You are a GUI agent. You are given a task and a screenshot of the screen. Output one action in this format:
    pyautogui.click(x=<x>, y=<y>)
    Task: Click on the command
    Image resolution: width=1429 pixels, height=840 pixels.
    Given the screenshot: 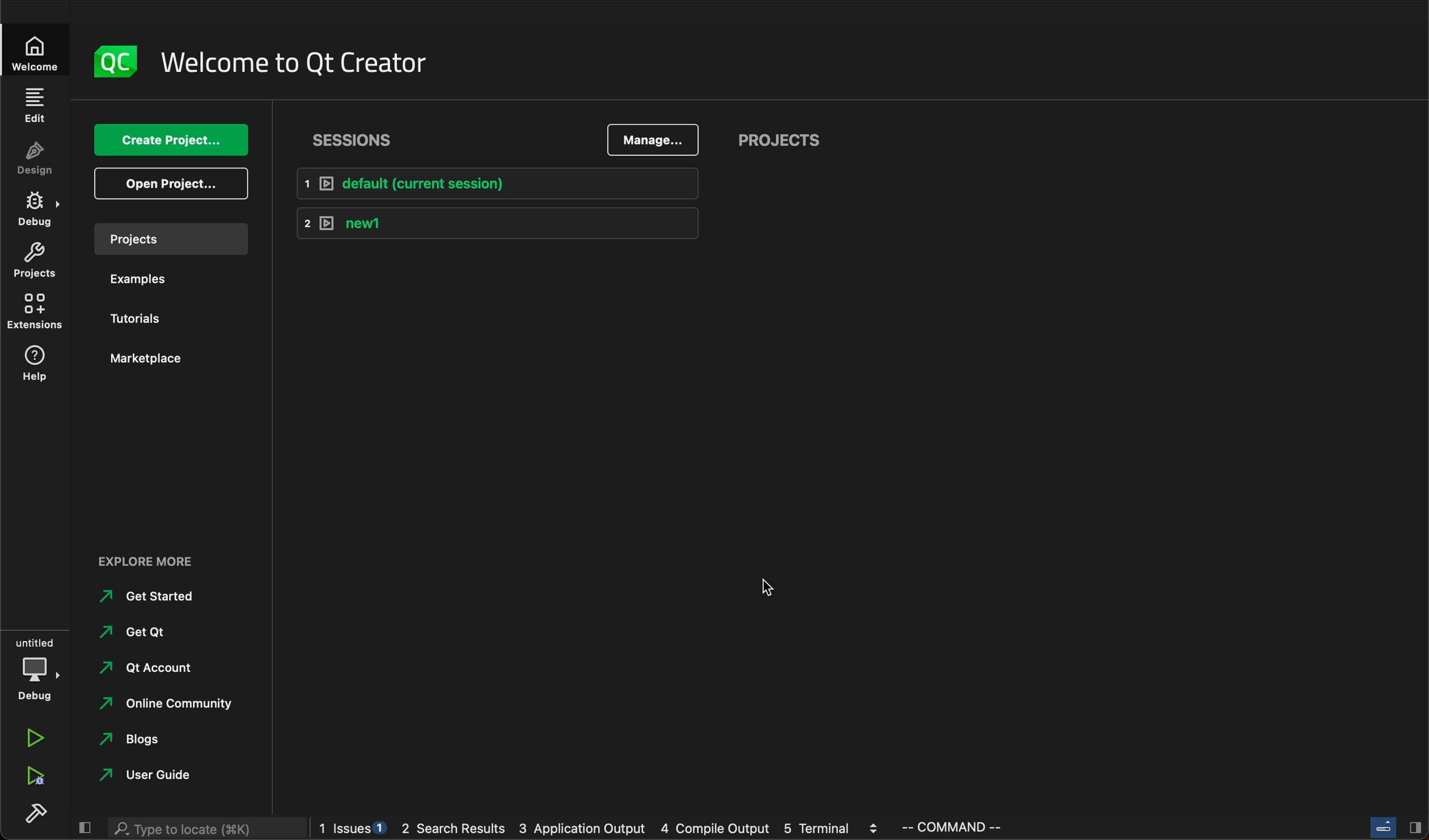 What is the action you would take?
    pyautogui.click(x=951, y=826)
    